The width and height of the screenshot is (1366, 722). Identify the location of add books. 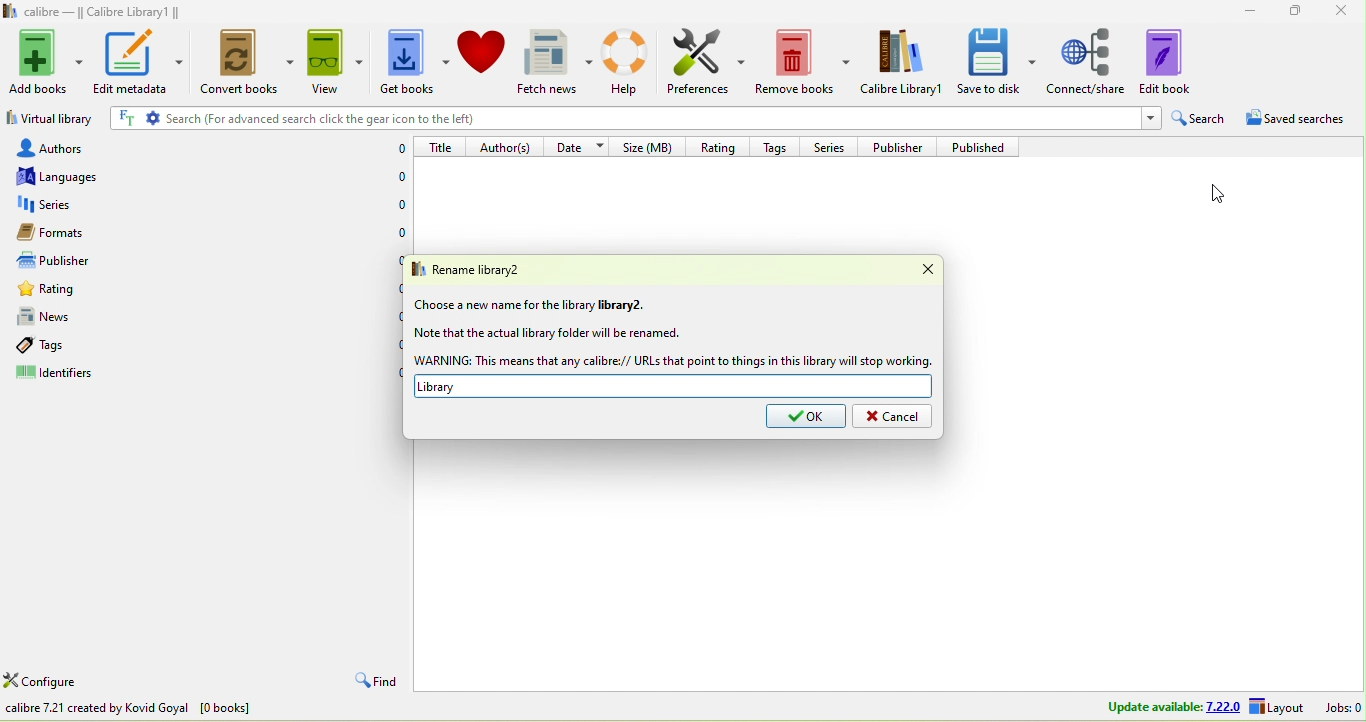
(47, 59).